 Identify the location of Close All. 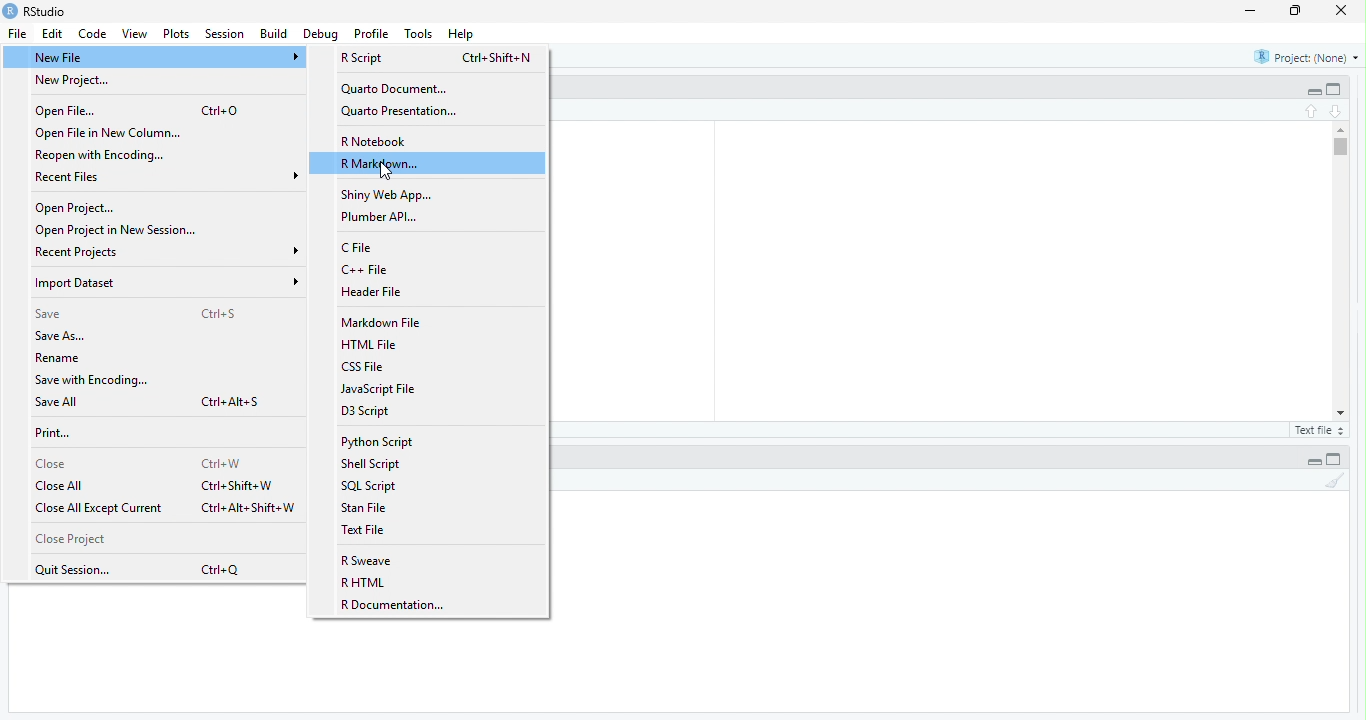
(63, 486).